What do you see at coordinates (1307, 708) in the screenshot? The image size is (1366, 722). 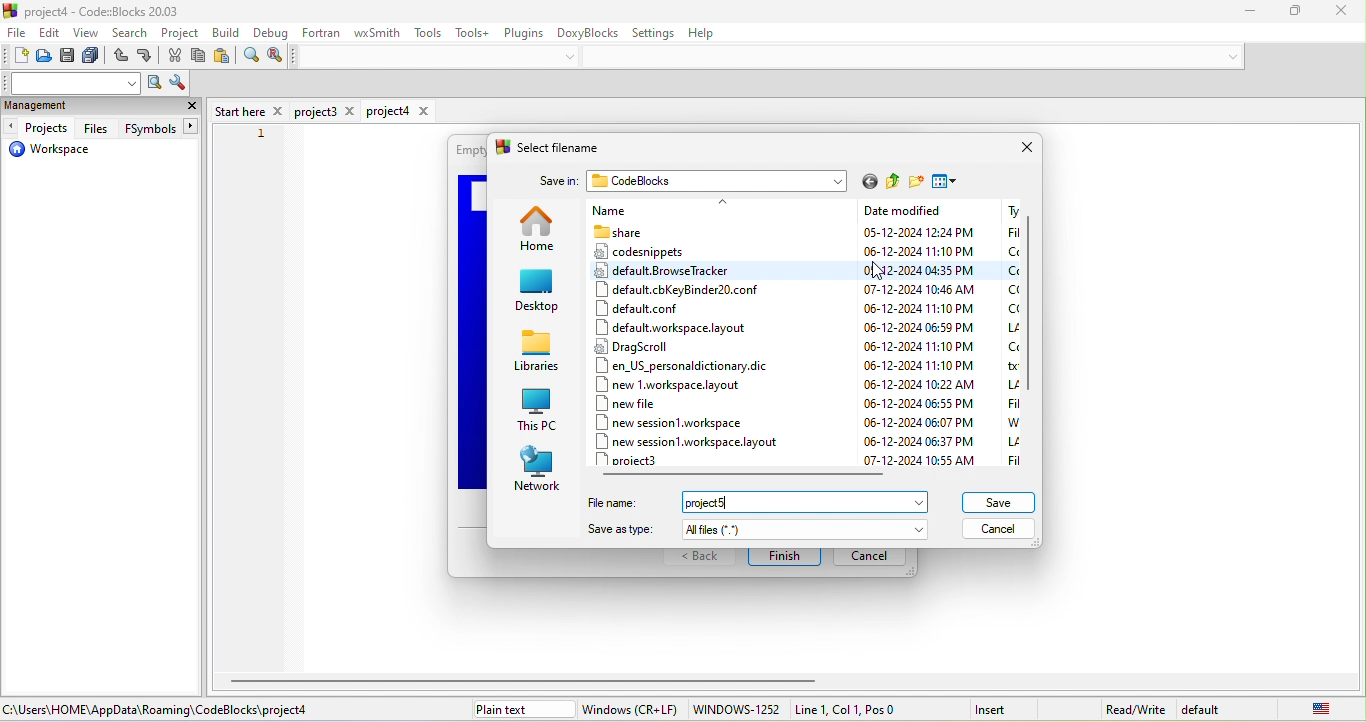 I see `united state` at bounding box center [1307, 708].